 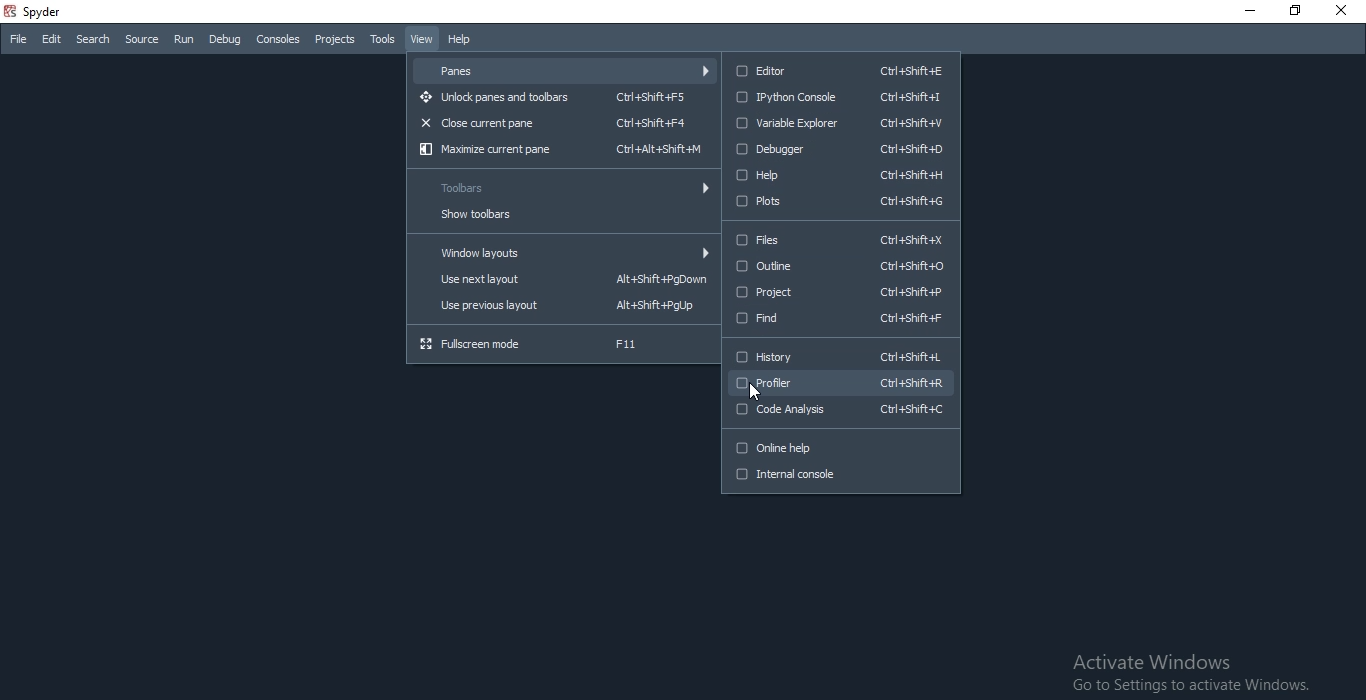 What do you see at coordinates (280, 40) in the screenshot?
I see `Consoles` at bounding box center [280, 40].